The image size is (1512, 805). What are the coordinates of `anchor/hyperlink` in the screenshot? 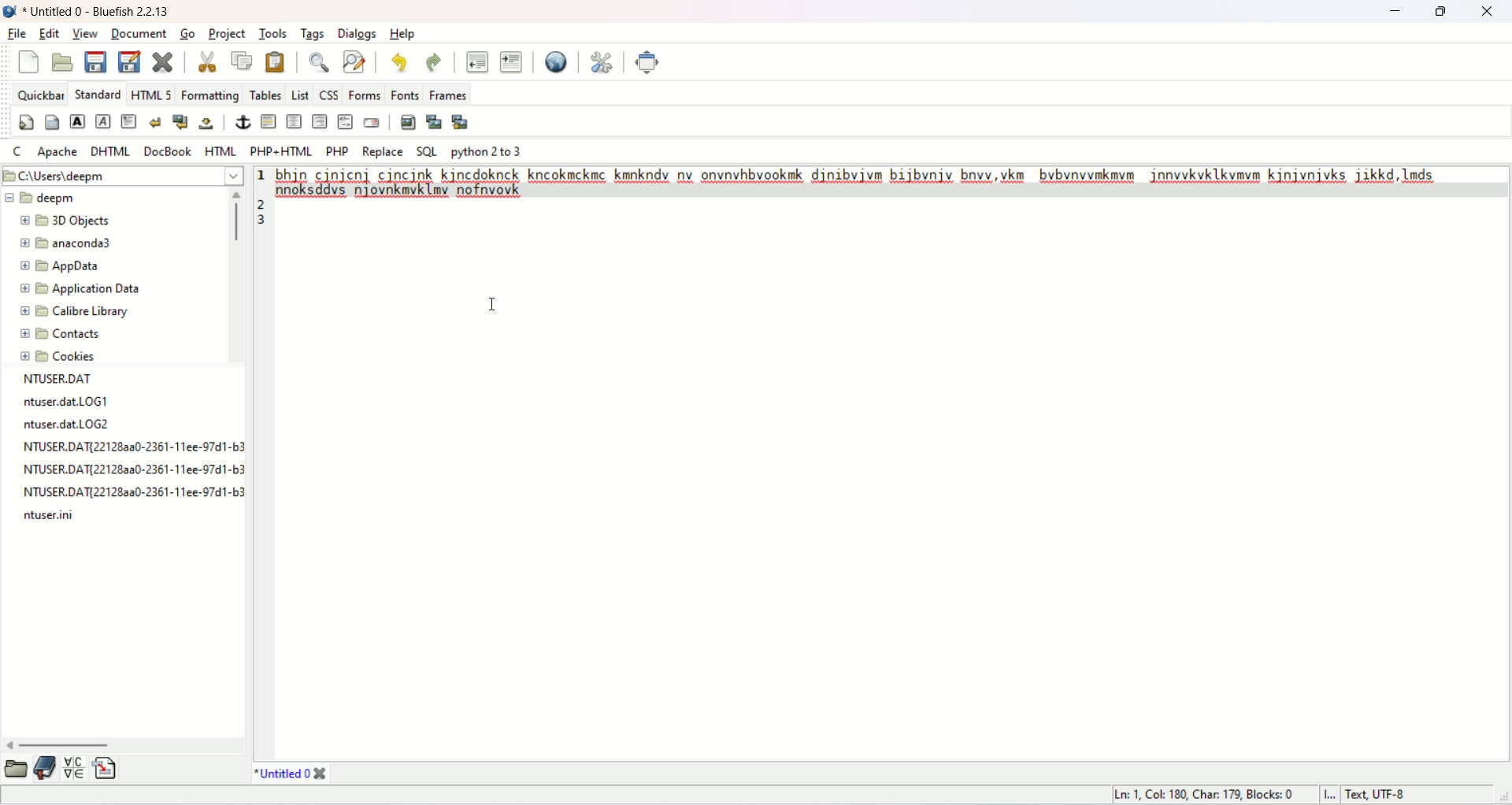 It's located at (242, 121).